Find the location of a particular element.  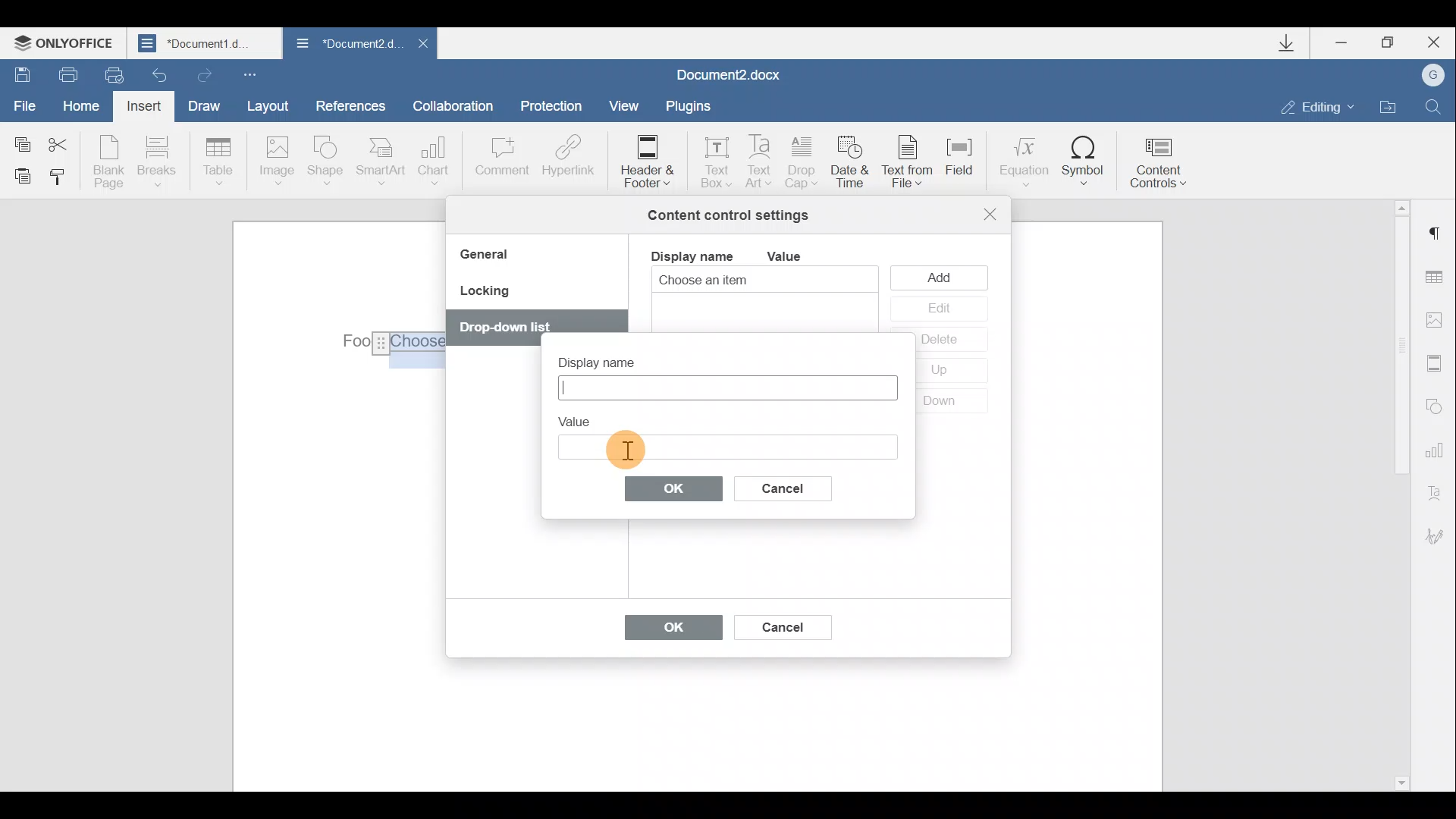

Account name is located at coordinates (1428, 76).